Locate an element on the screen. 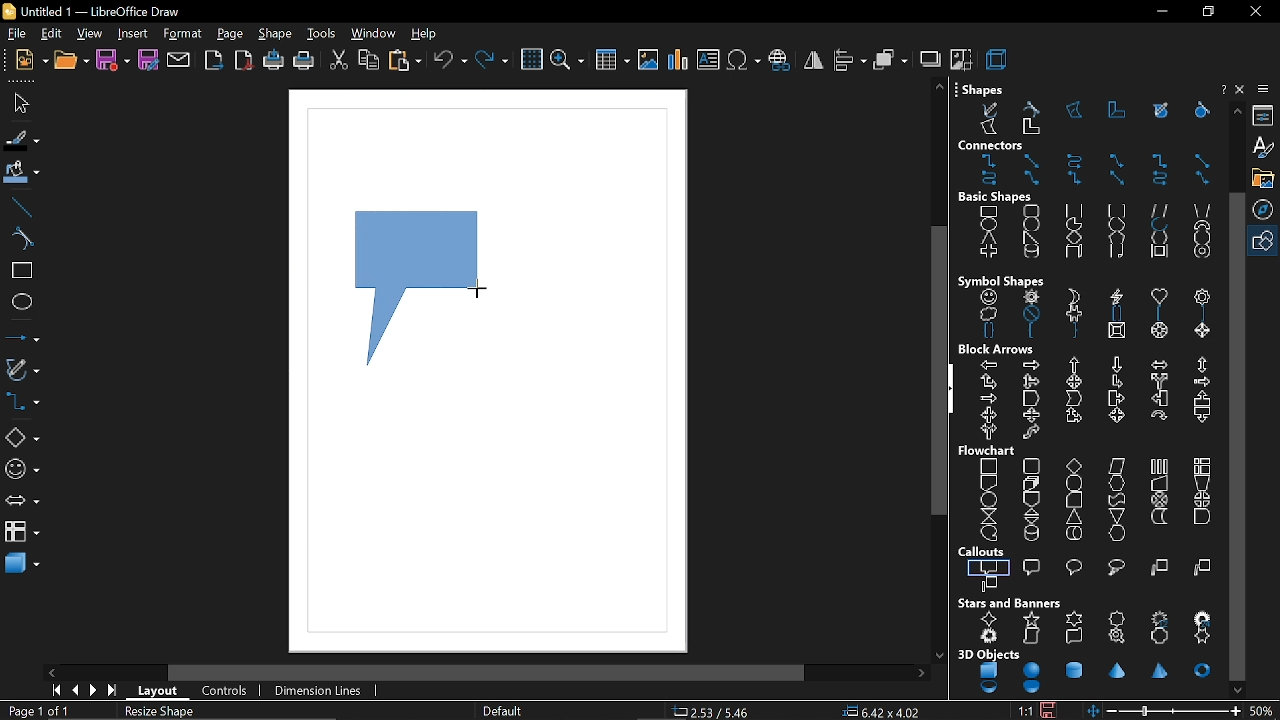  page style is located at coordinates (504, 712).